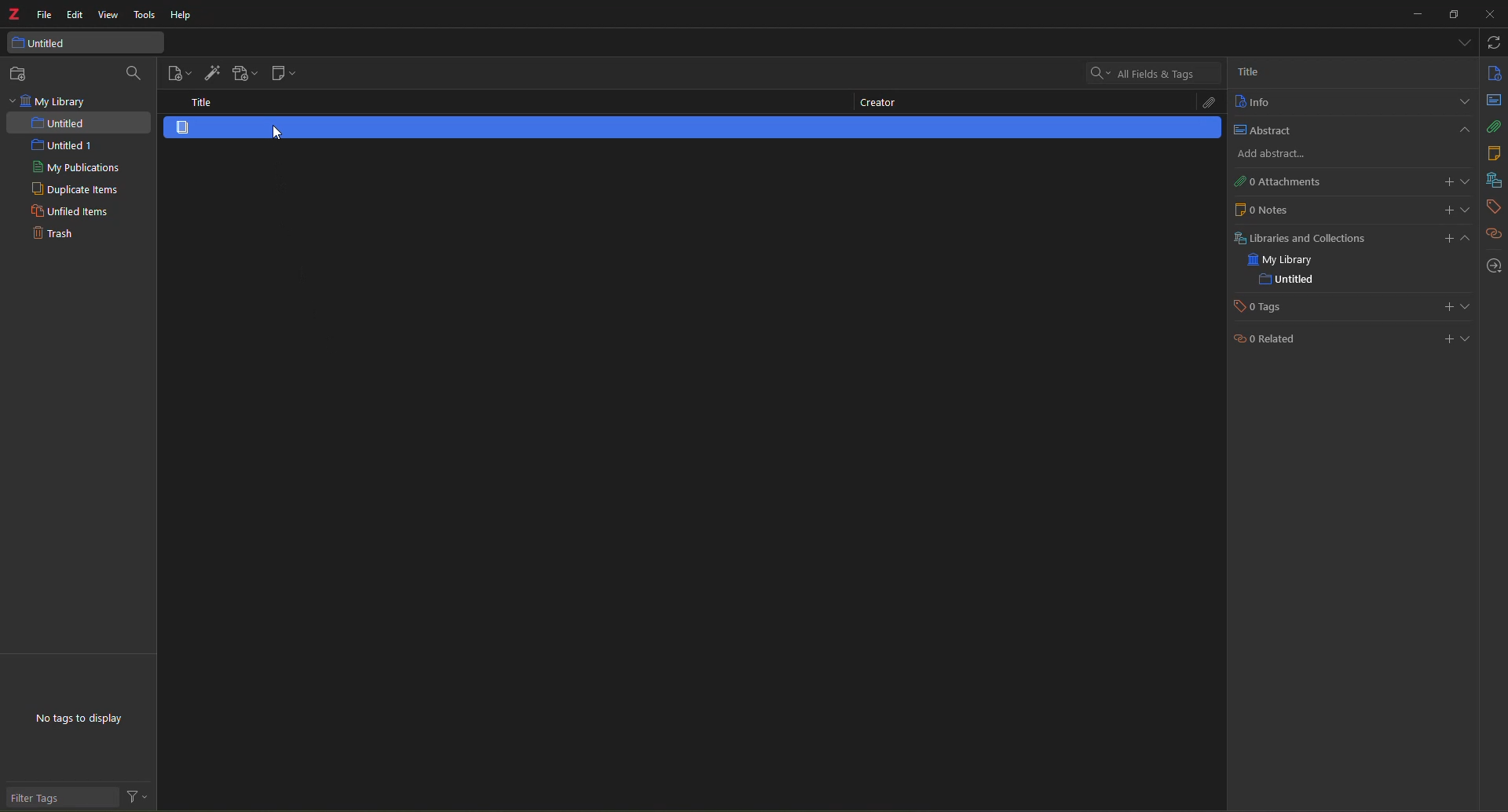 The height and width of the screenshot is (812, 1508). Describe the element at coordinates (1252, 102) in the screenshot. I see `info` at that location.